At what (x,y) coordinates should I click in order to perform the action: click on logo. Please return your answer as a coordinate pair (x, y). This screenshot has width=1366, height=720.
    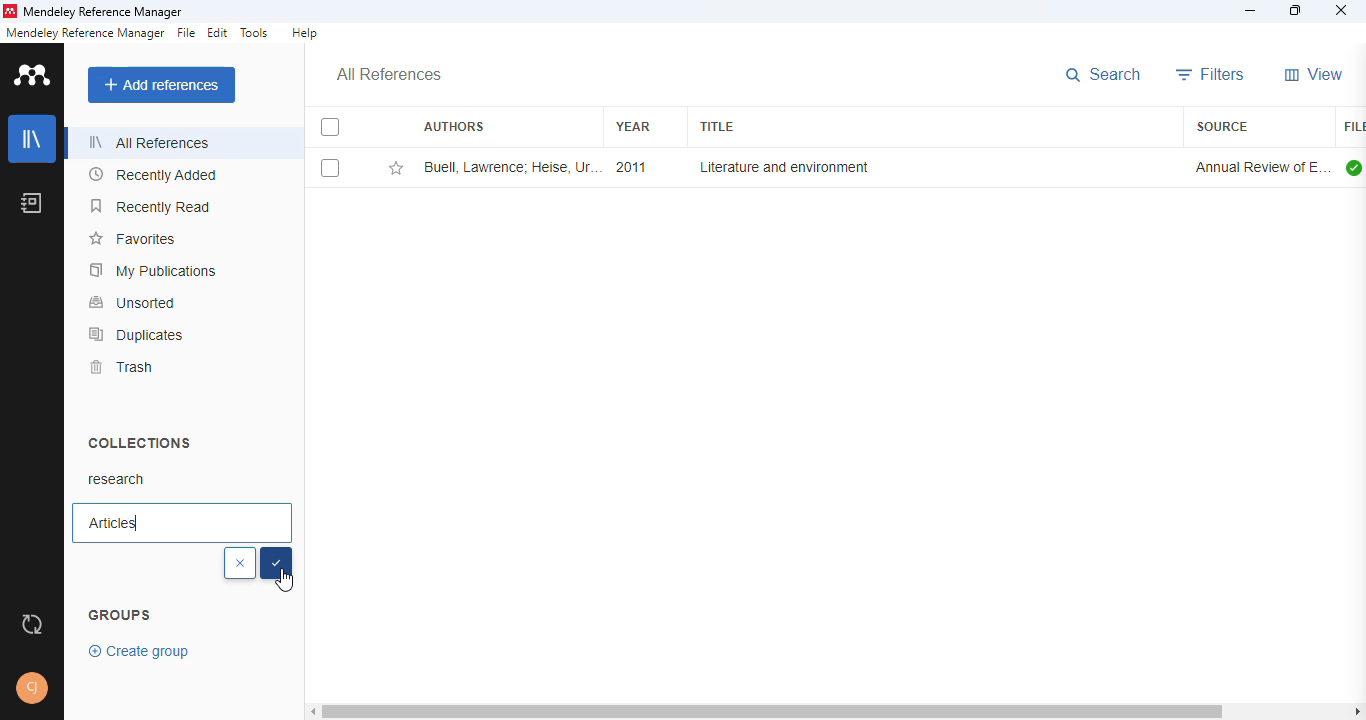
    Looking at the image, I should click on (33, 75).